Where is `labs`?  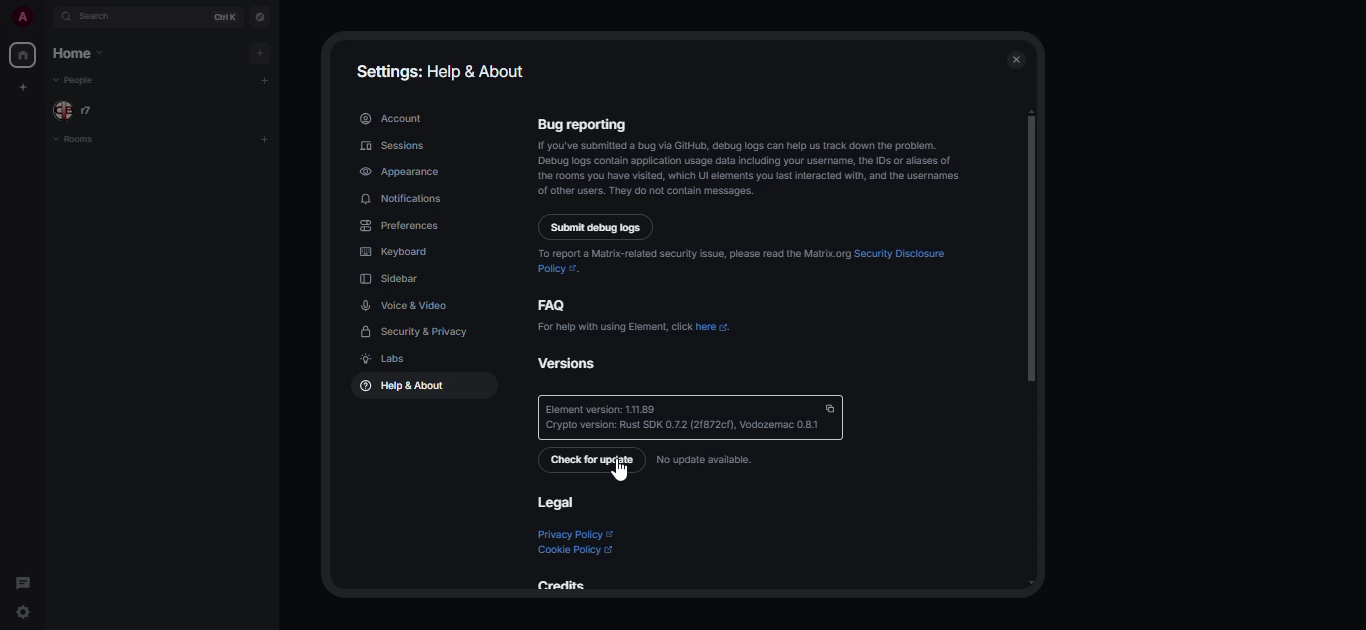
labs is located at coordinates (390, 358).